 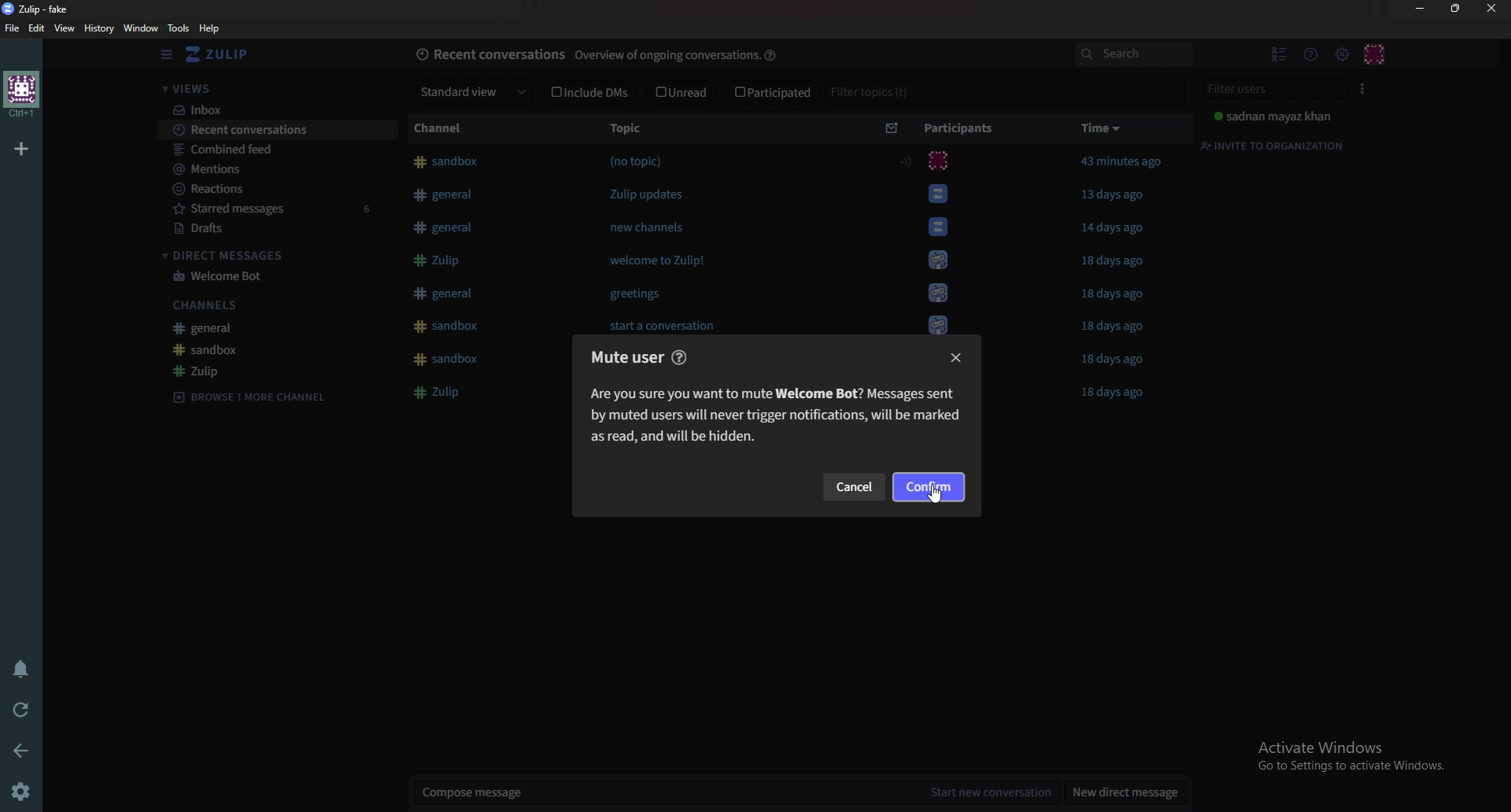 What do you see at coordinates (275, 109) in the screenshot?
I see `Inbox` at bounding box center [275, 109].